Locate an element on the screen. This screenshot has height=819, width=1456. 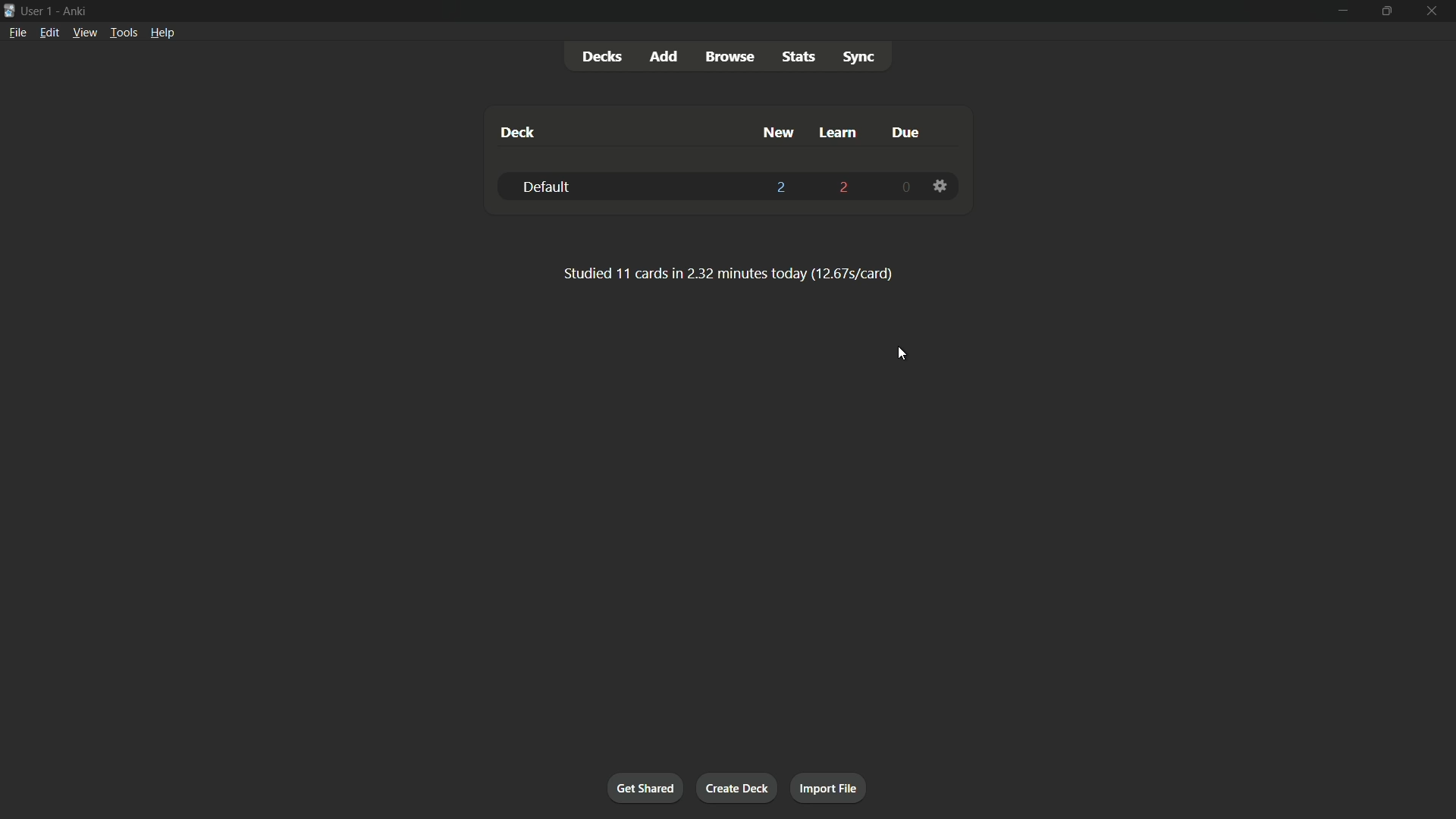
minimize is located at coordinates (1341, 11).